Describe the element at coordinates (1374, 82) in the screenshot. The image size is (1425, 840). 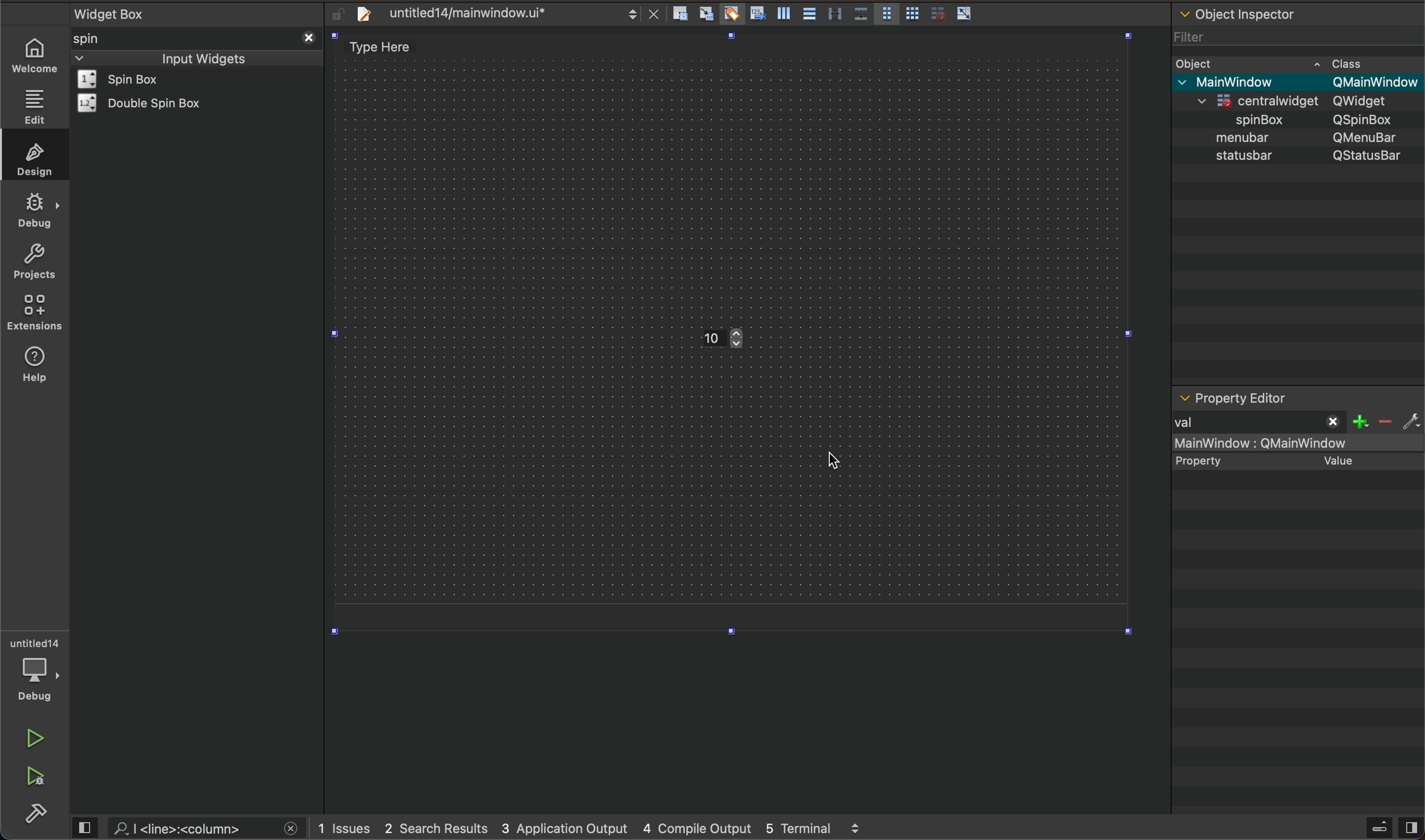
I see `` at that location.